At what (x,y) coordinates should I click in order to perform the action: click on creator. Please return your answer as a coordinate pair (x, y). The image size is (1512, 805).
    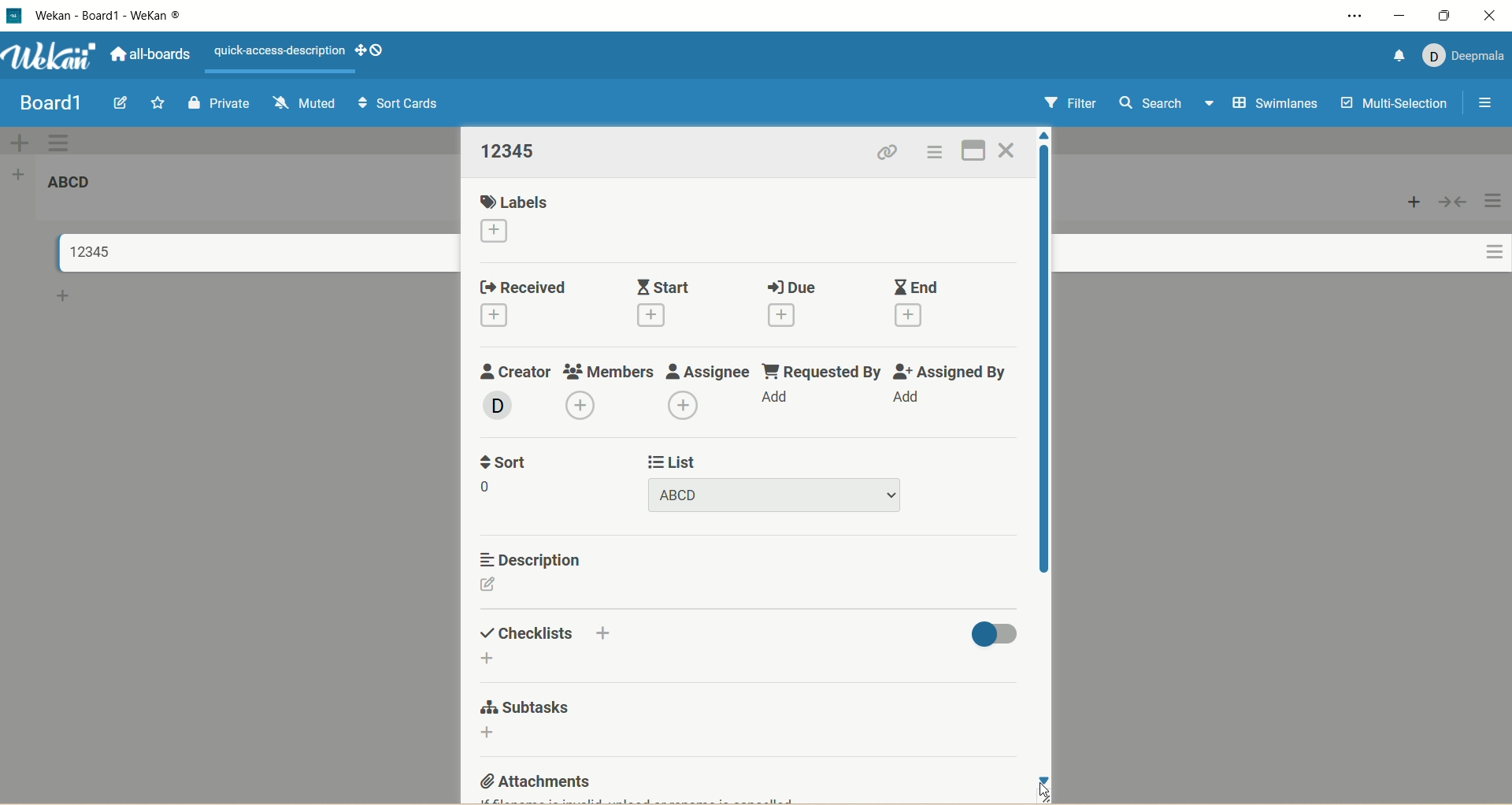
    Looking at the image, I should click on (516, 368).